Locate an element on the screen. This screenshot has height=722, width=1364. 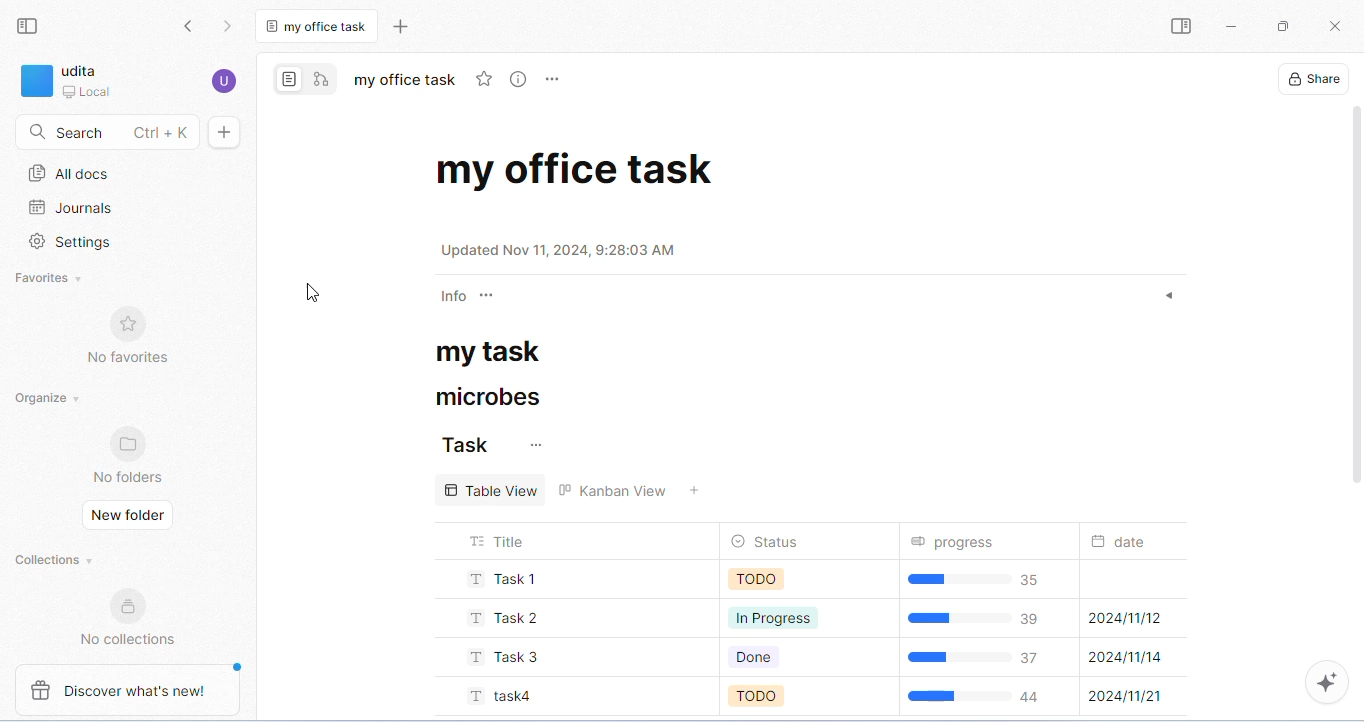
workspace is located at coordinates (69, 80).